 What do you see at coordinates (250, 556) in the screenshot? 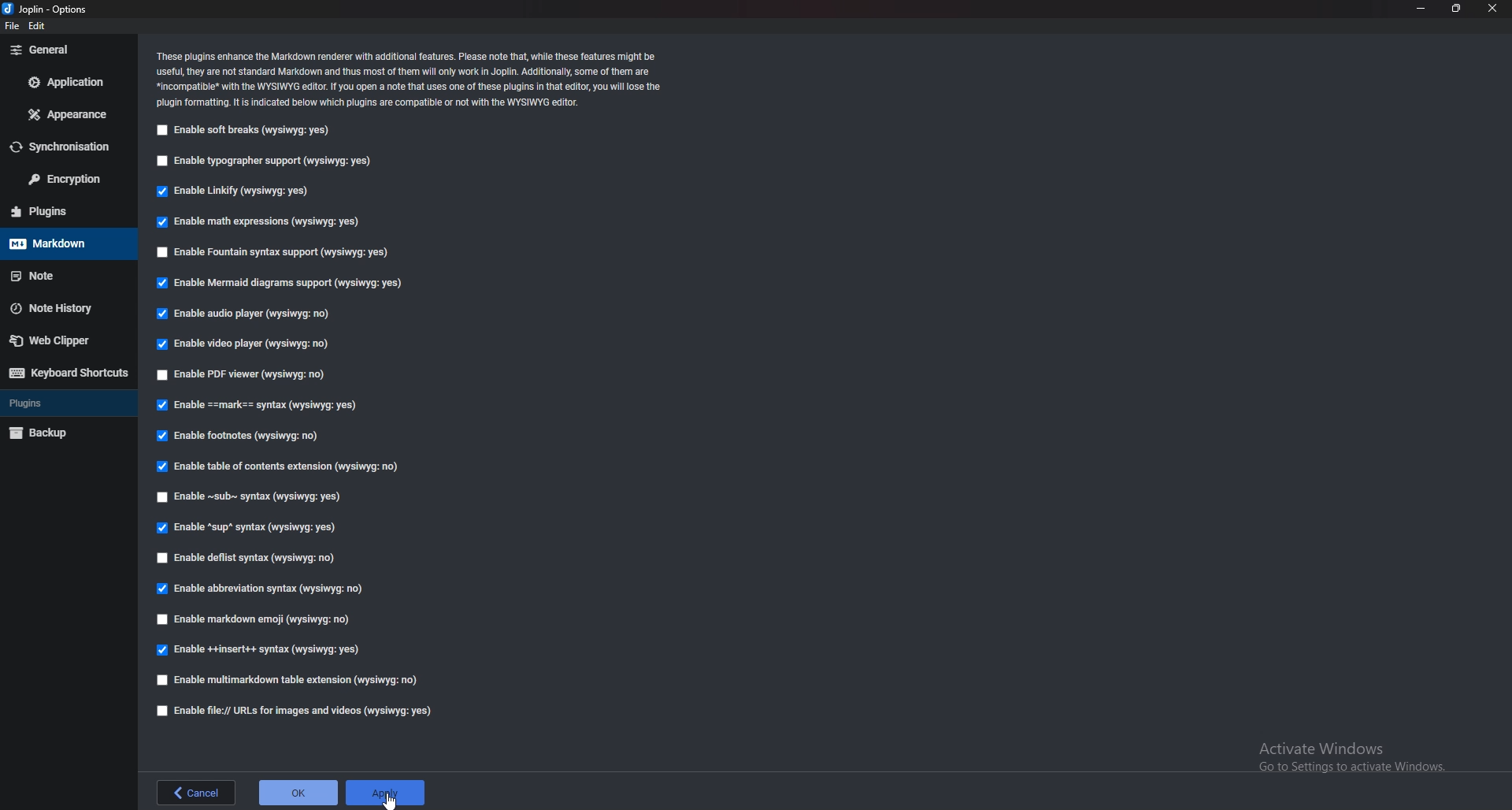
I see `enable deflist syntax` at bounding box center [250, 556].